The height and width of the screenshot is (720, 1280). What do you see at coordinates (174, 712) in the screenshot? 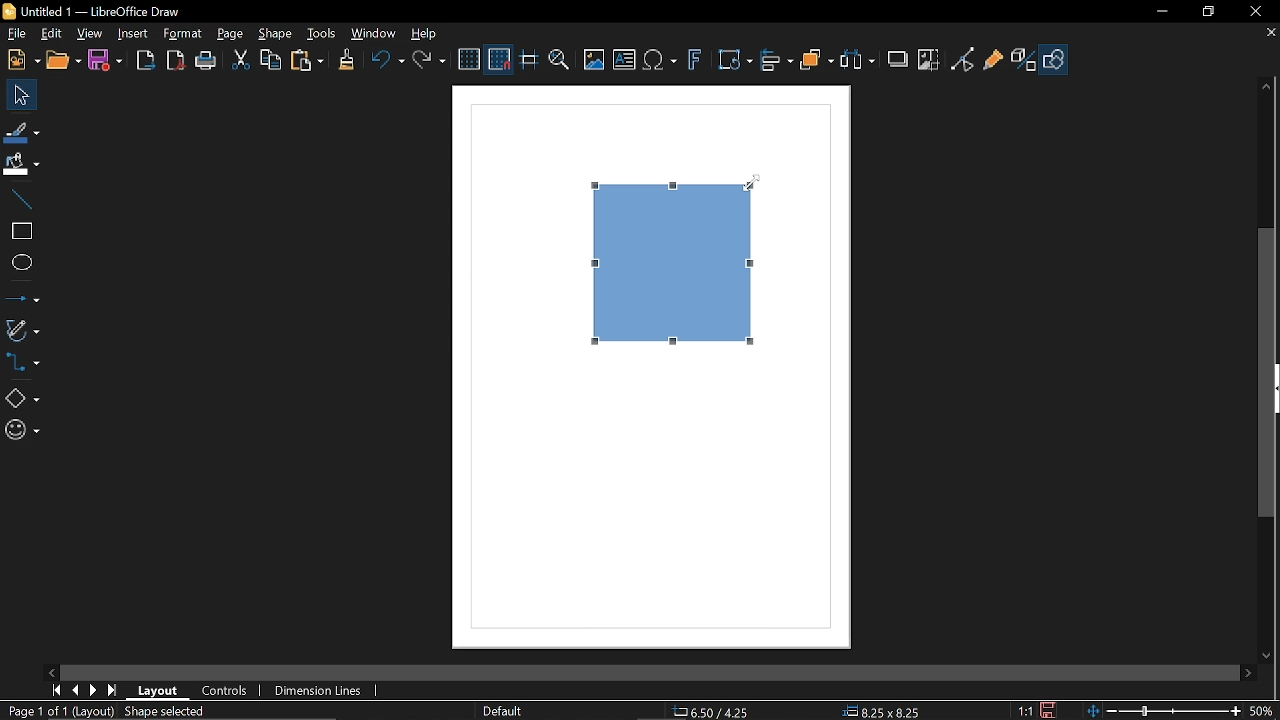
I see `Shape selection` at bounding box center [174, 712].